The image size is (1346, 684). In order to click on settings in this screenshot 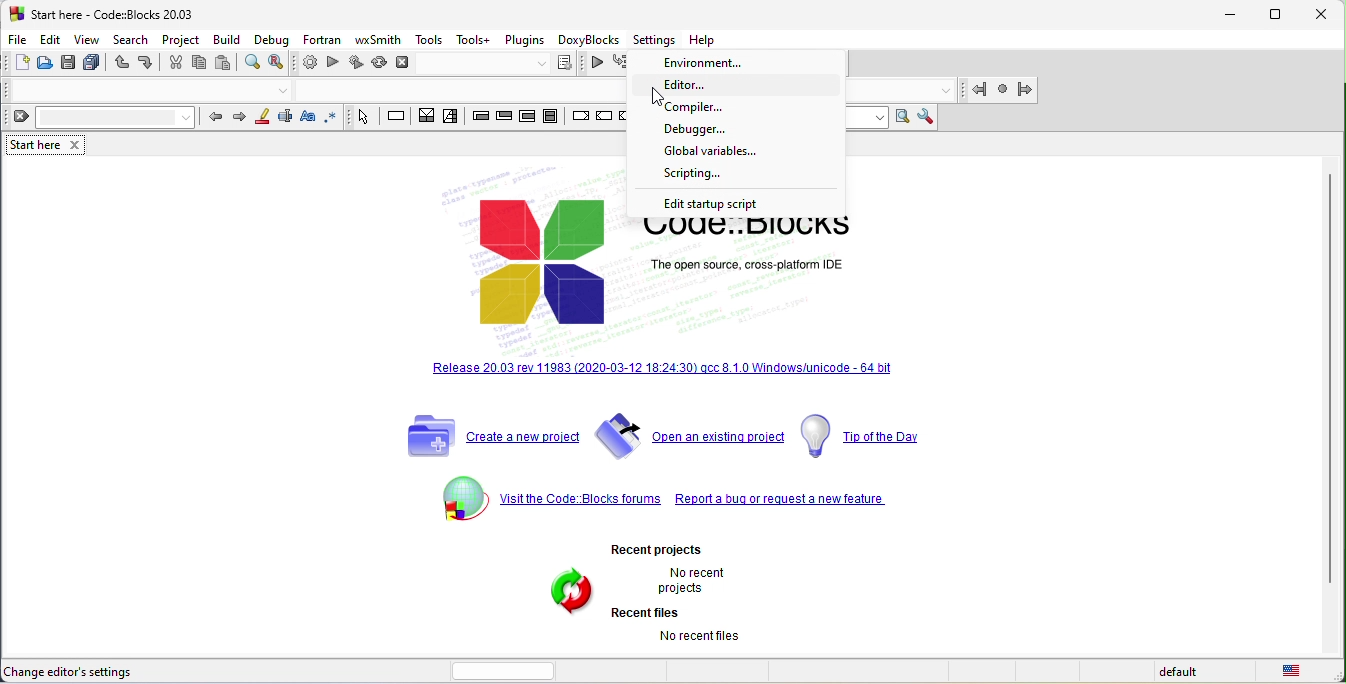, I will do `click(656, 39)`.